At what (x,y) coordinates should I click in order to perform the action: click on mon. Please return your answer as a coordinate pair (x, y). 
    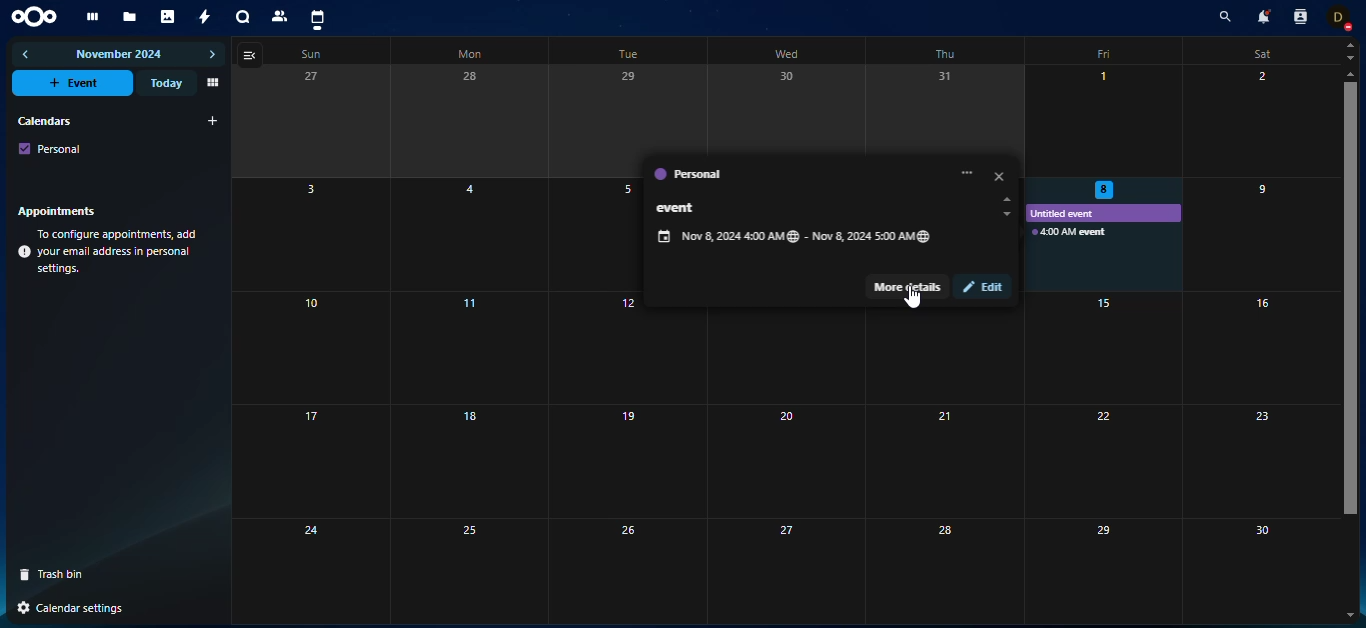
    Looking at the image, I should click on (468, 55).